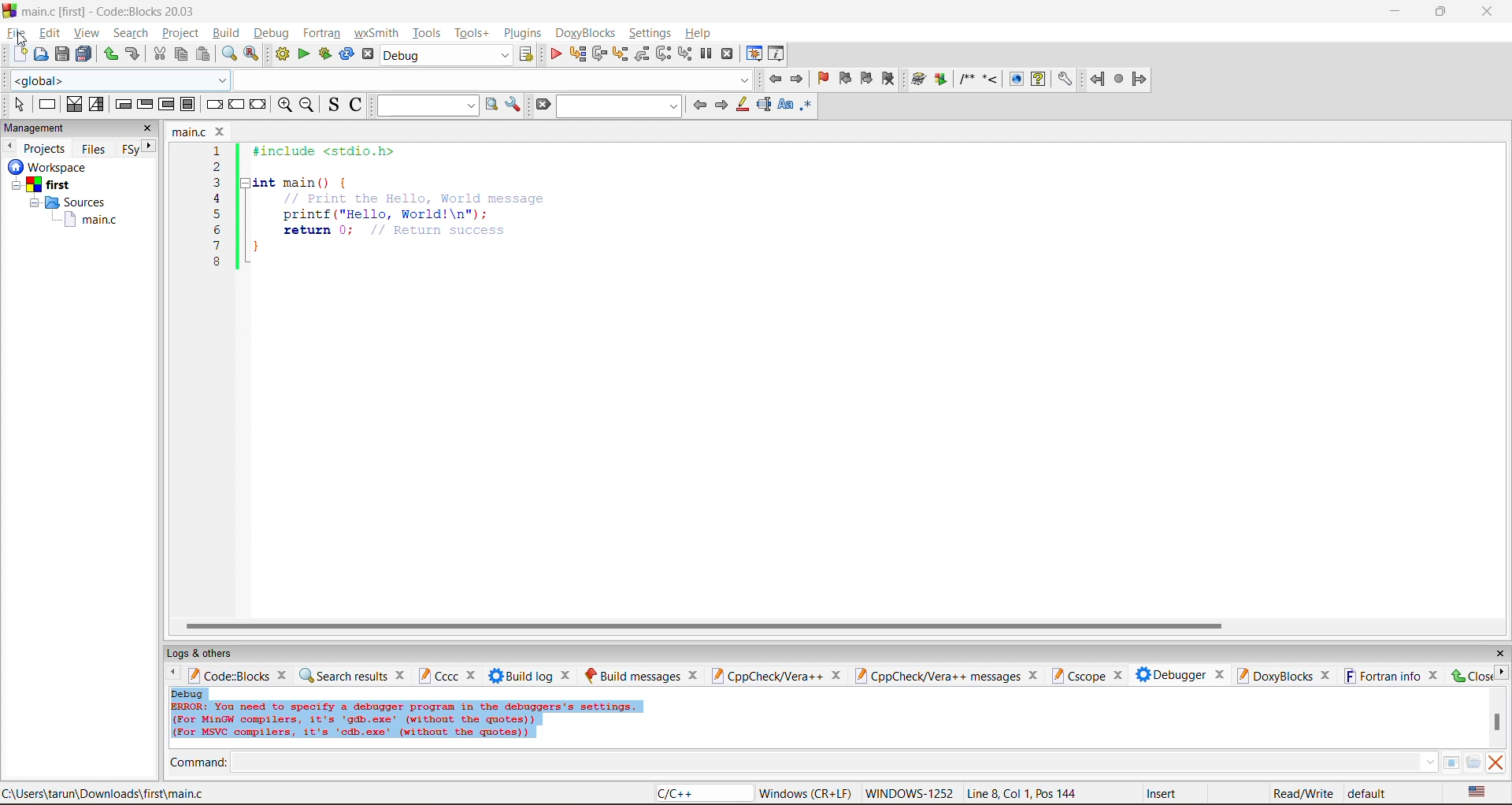 Image resolution: width=1512 pixels, height=805 pixels. I want to click on 1, so click(219, 151).